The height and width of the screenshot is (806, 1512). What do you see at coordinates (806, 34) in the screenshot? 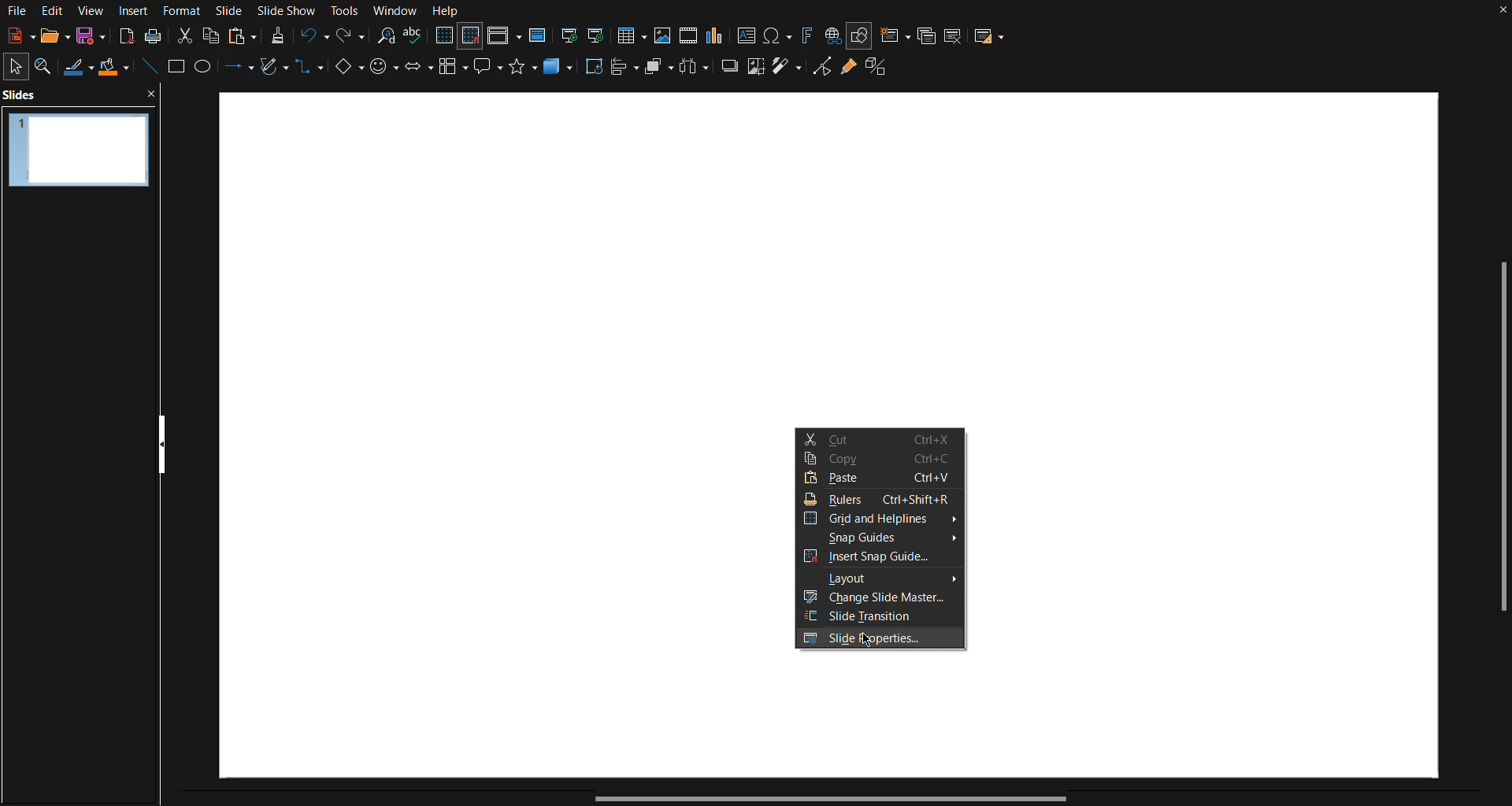
I see `Fontworks` at bounding box center [806, 34].